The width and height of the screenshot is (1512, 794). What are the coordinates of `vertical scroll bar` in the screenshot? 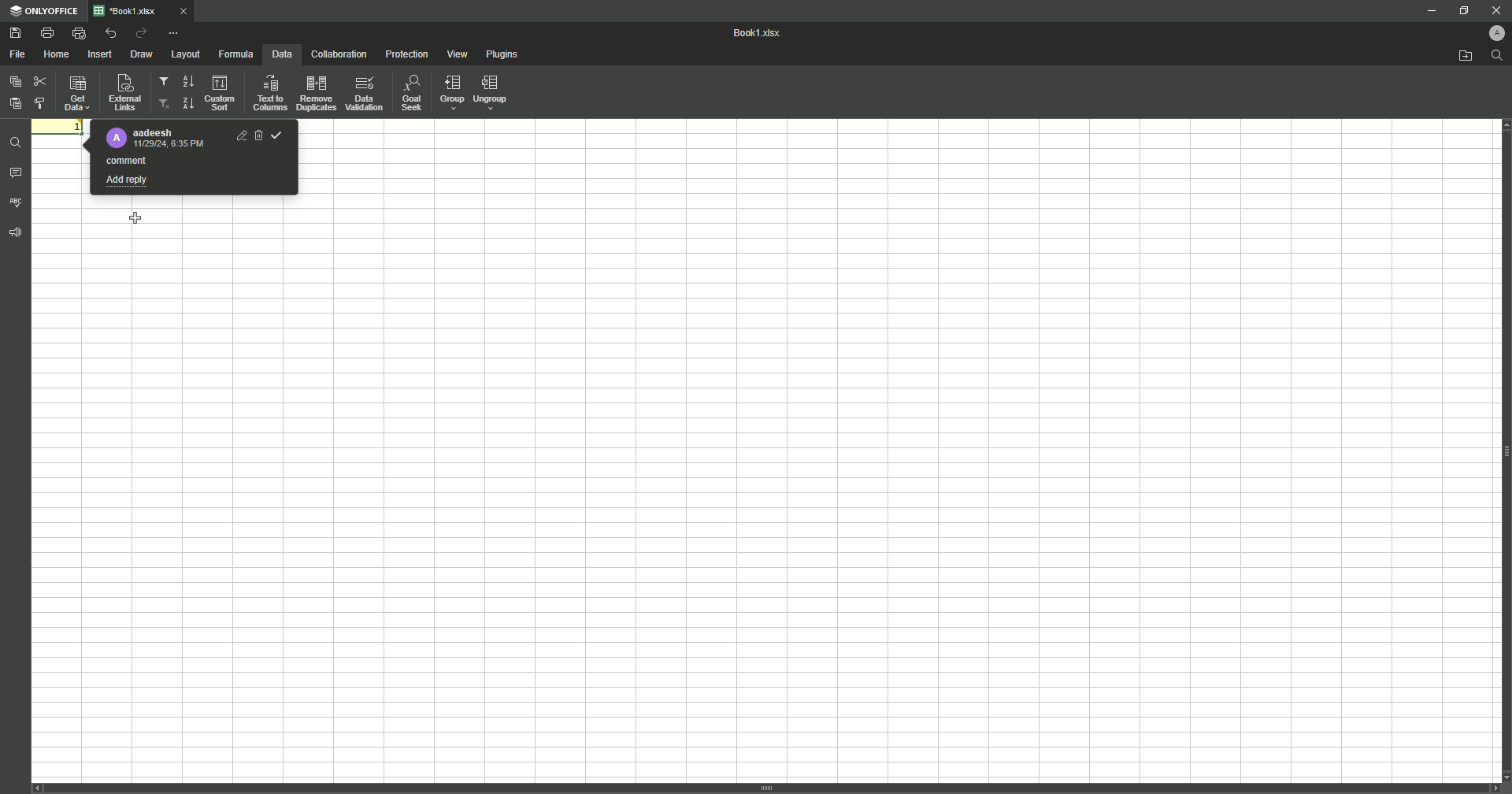 It's located at (766, 788).